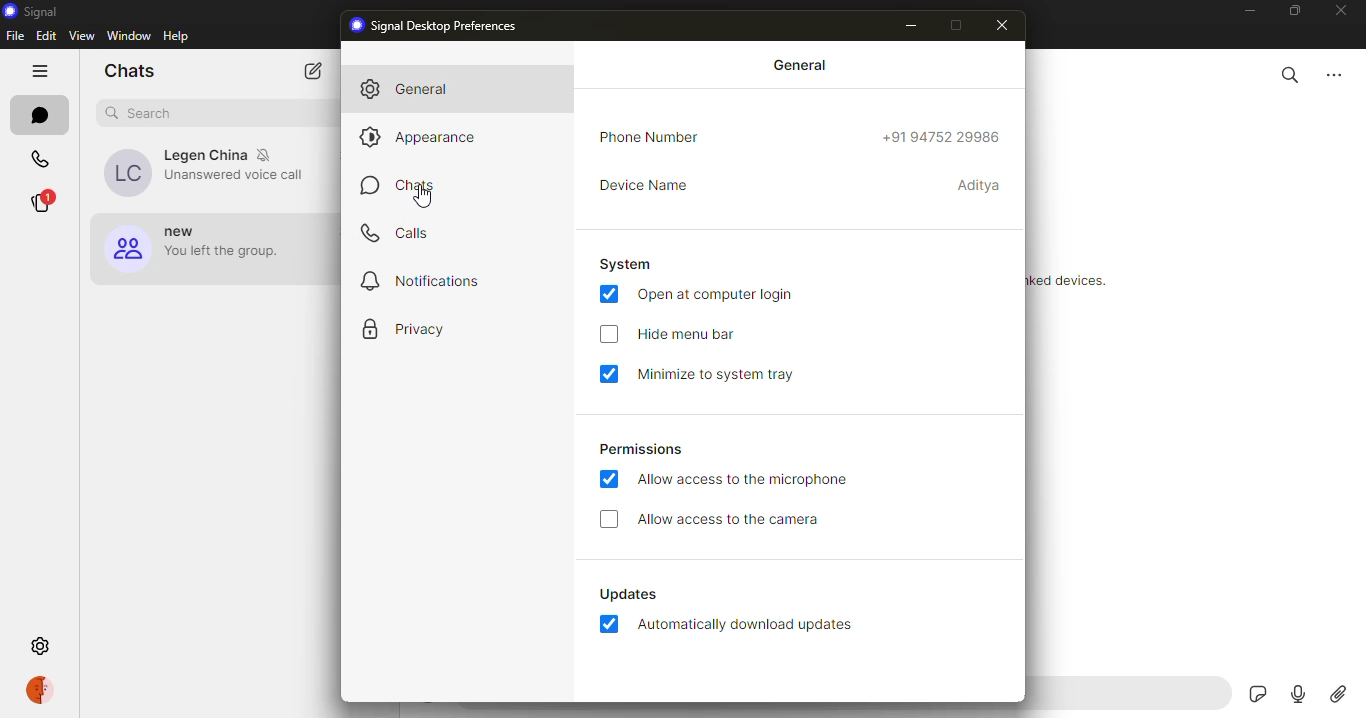  Describe the element at coordinates (38, 69) in the screenshot. I see `hide tabs` at that location.